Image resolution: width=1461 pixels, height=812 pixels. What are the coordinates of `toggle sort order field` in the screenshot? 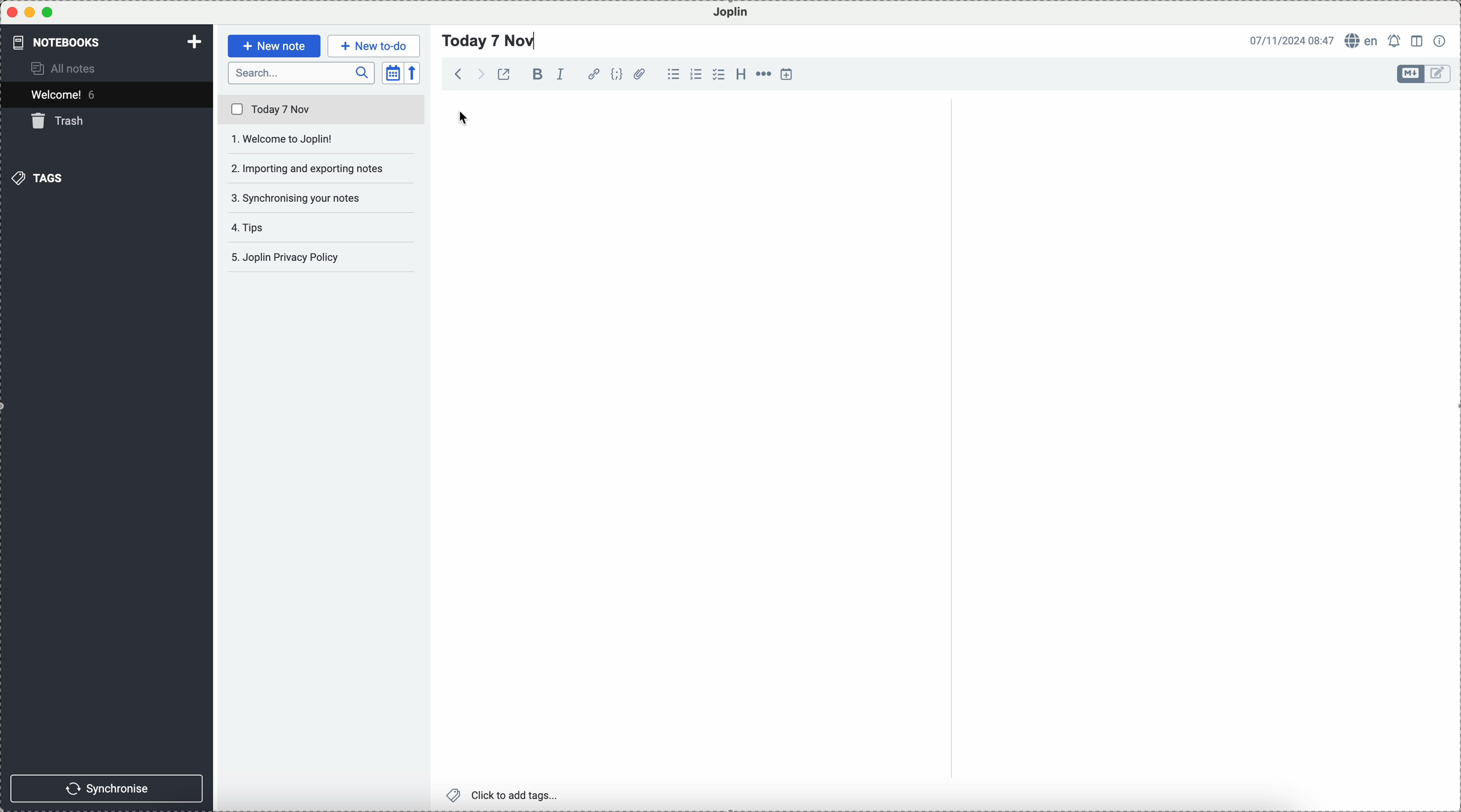 It's located at (393, 73).